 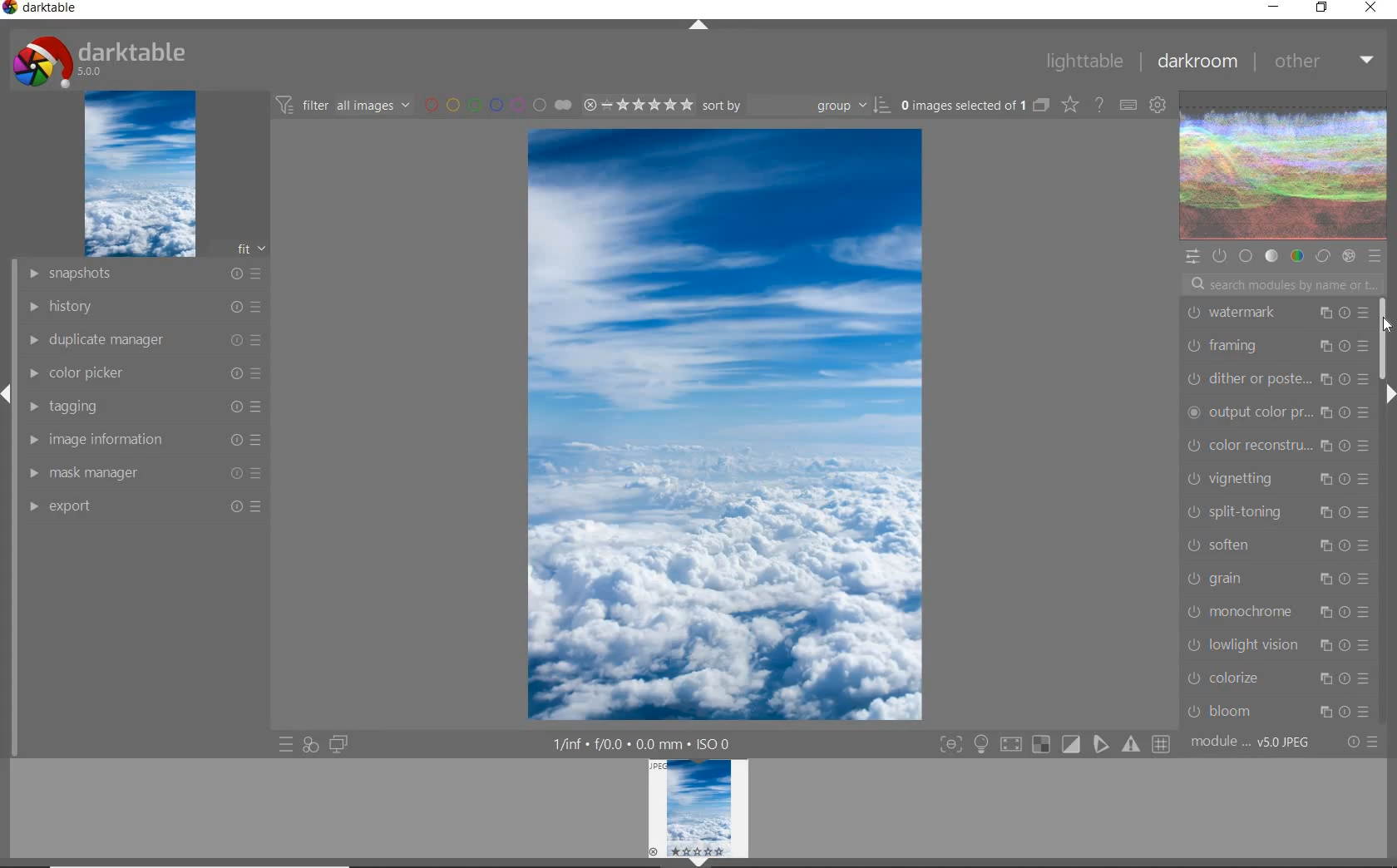 What do you see at coordinates (143, 305) in the screenshot?
I see `HISTORY` at bounding box center [143, 305].